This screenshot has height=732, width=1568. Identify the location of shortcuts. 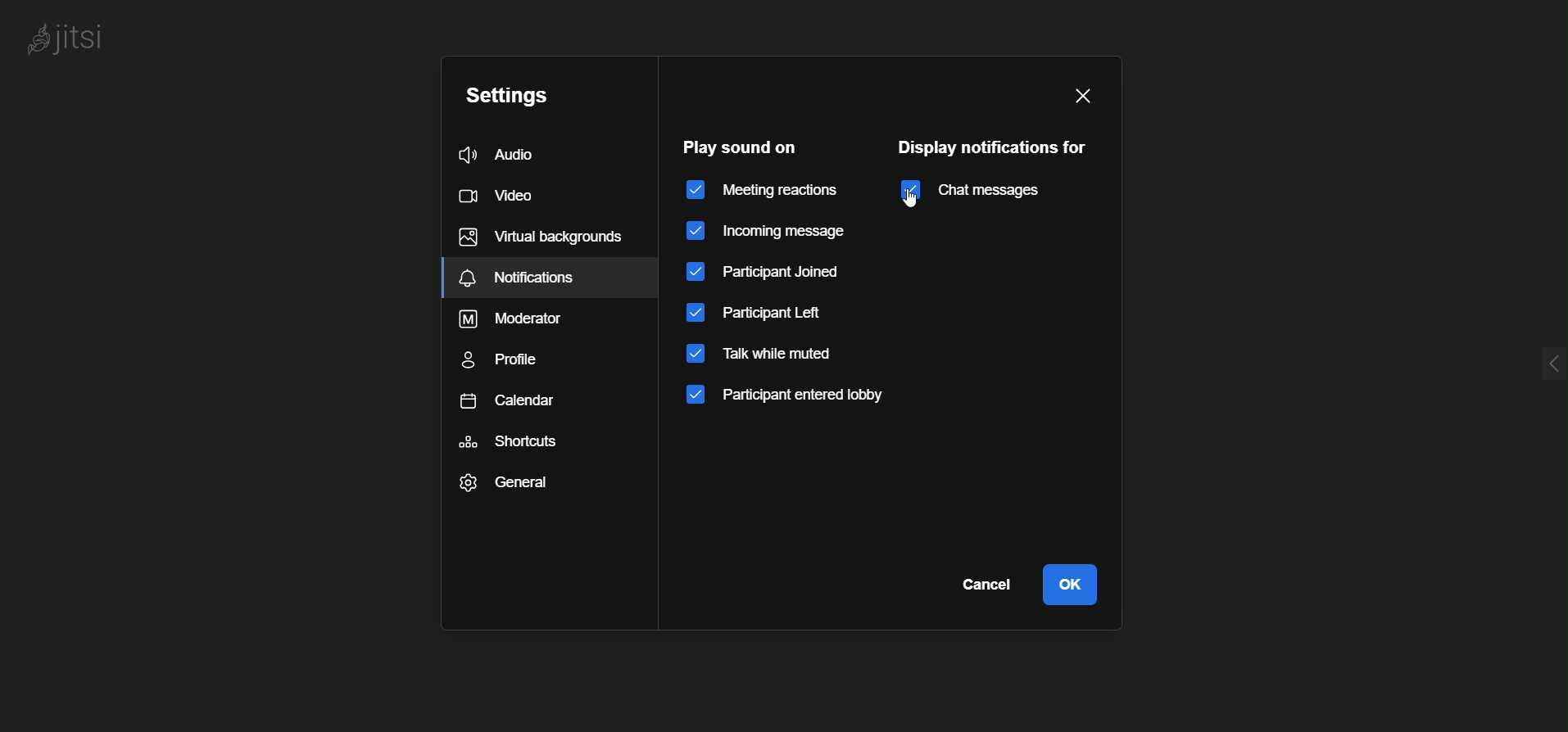
(515, 442).